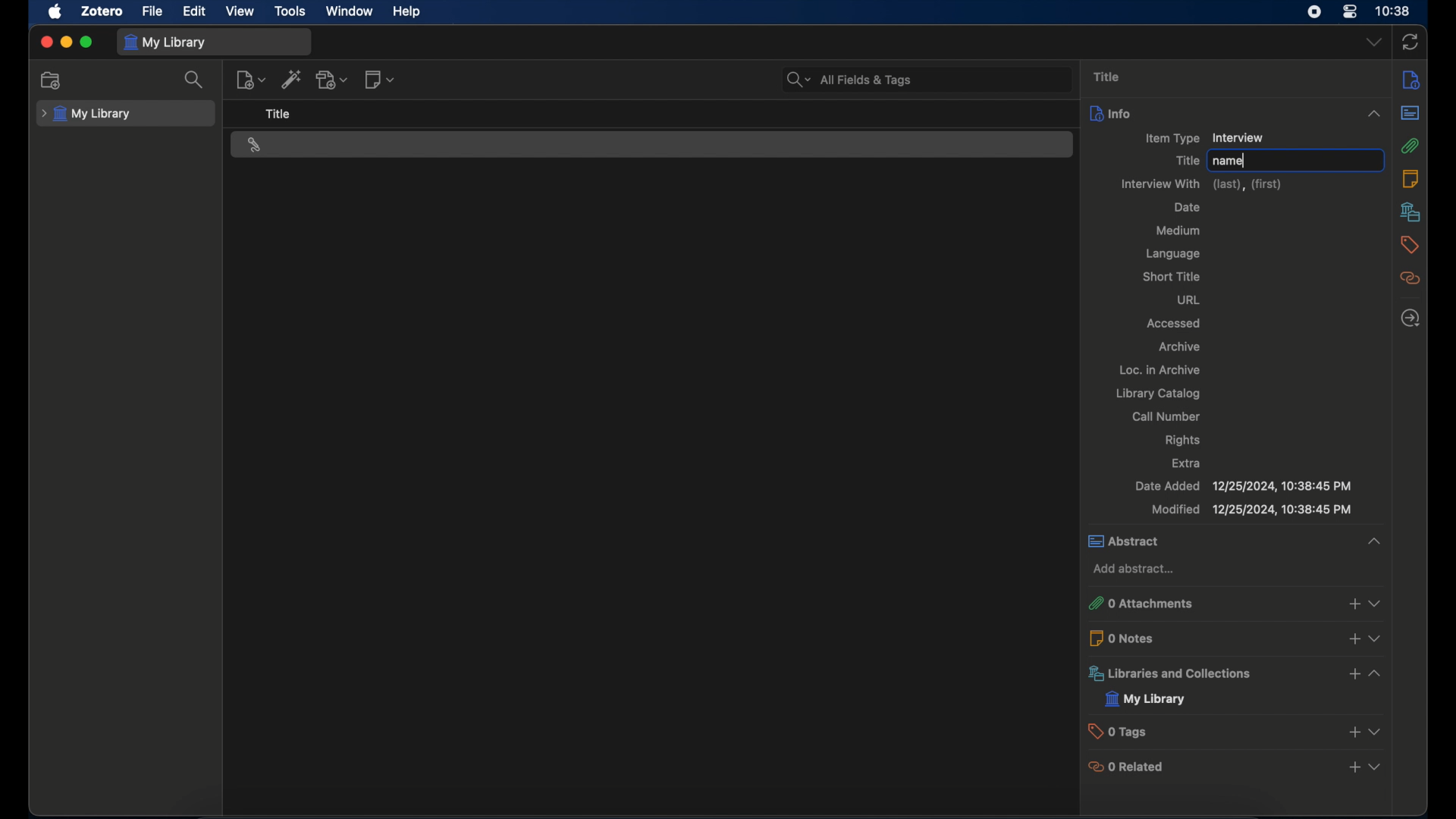 The image size is (1456, 819). Describe the element at coordinates (1230, 161) in the screenshot. I see `name` at that location.